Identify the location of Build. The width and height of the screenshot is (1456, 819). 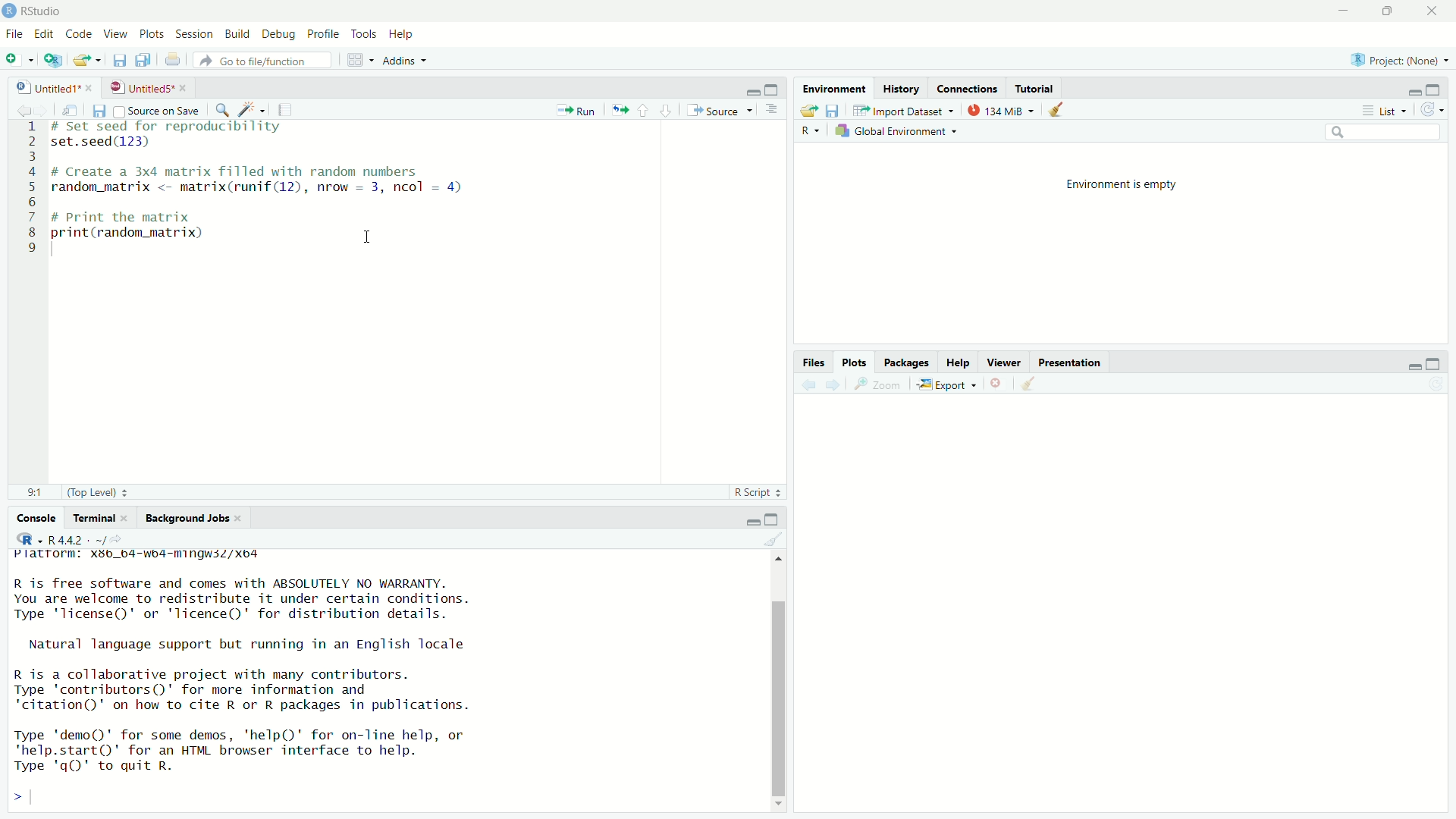
(237, 31).